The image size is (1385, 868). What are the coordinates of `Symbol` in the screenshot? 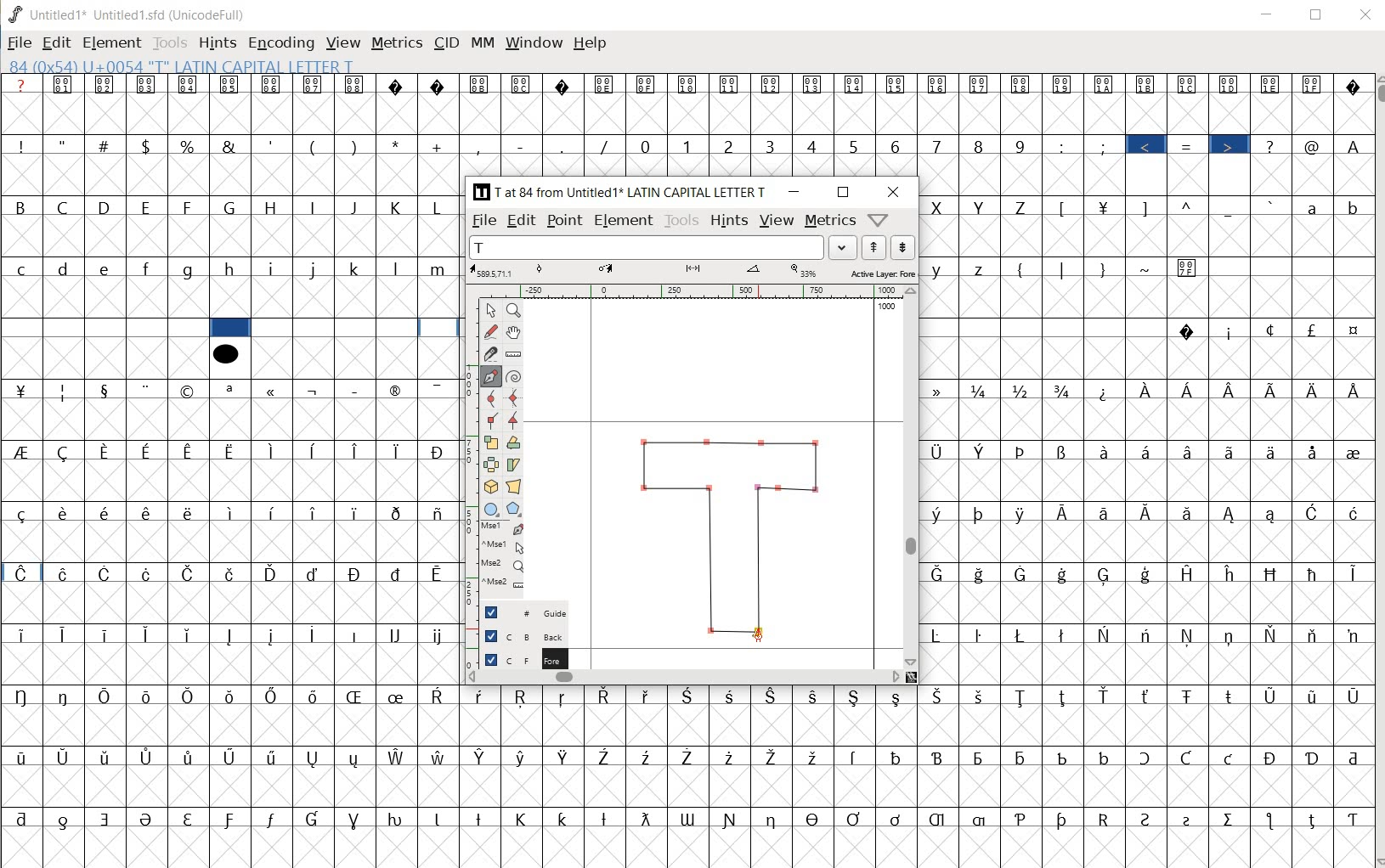 It's located at (732, 695).